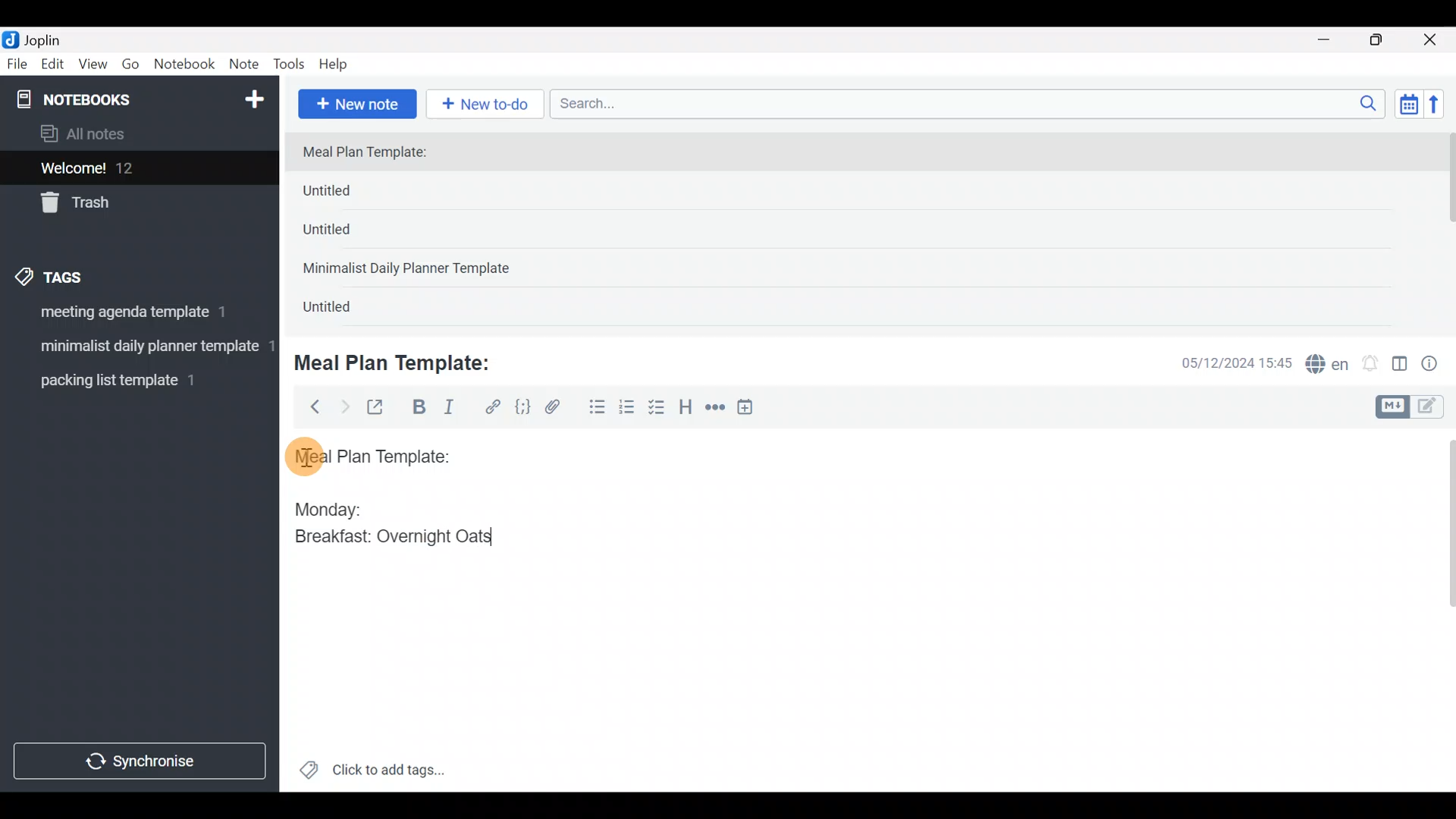 This screenshot has height=819, width=1456. I want to click on Forward, so click(344, 406).